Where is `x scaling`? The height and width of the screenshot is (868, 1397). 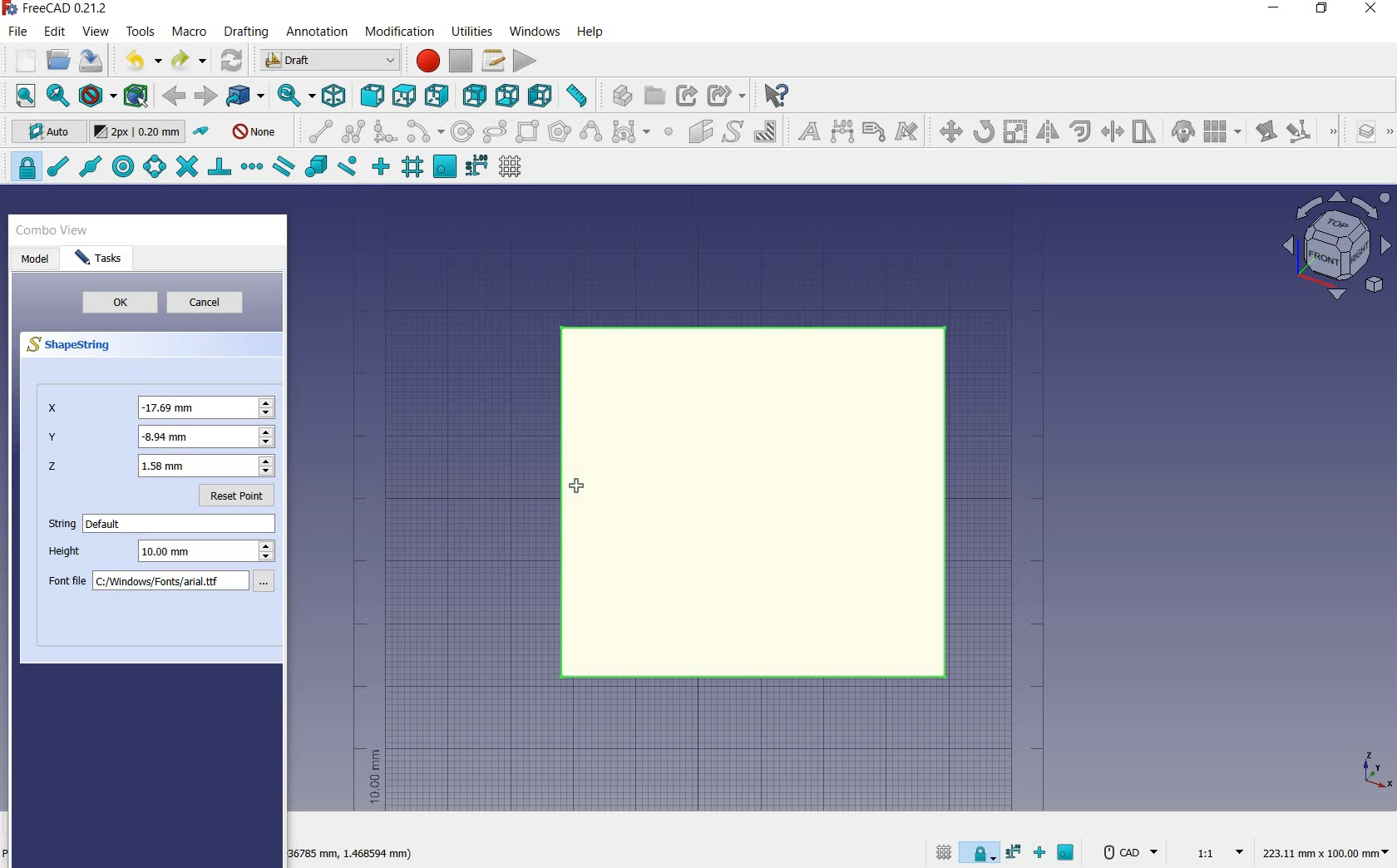
x scaling is located at coordinates (161, 407).